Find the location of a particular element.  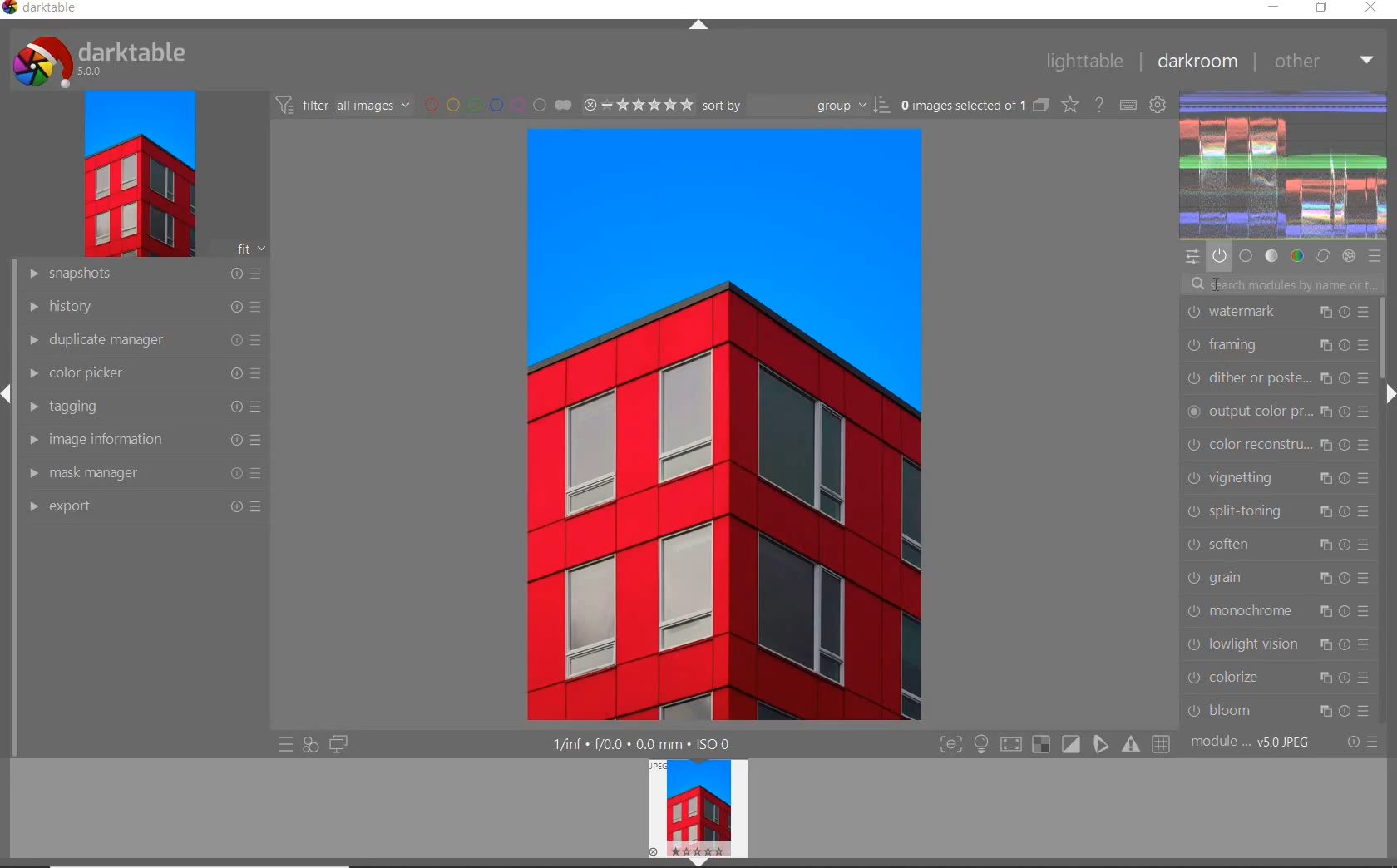

output color preset is located at coordinates (1279, 411).